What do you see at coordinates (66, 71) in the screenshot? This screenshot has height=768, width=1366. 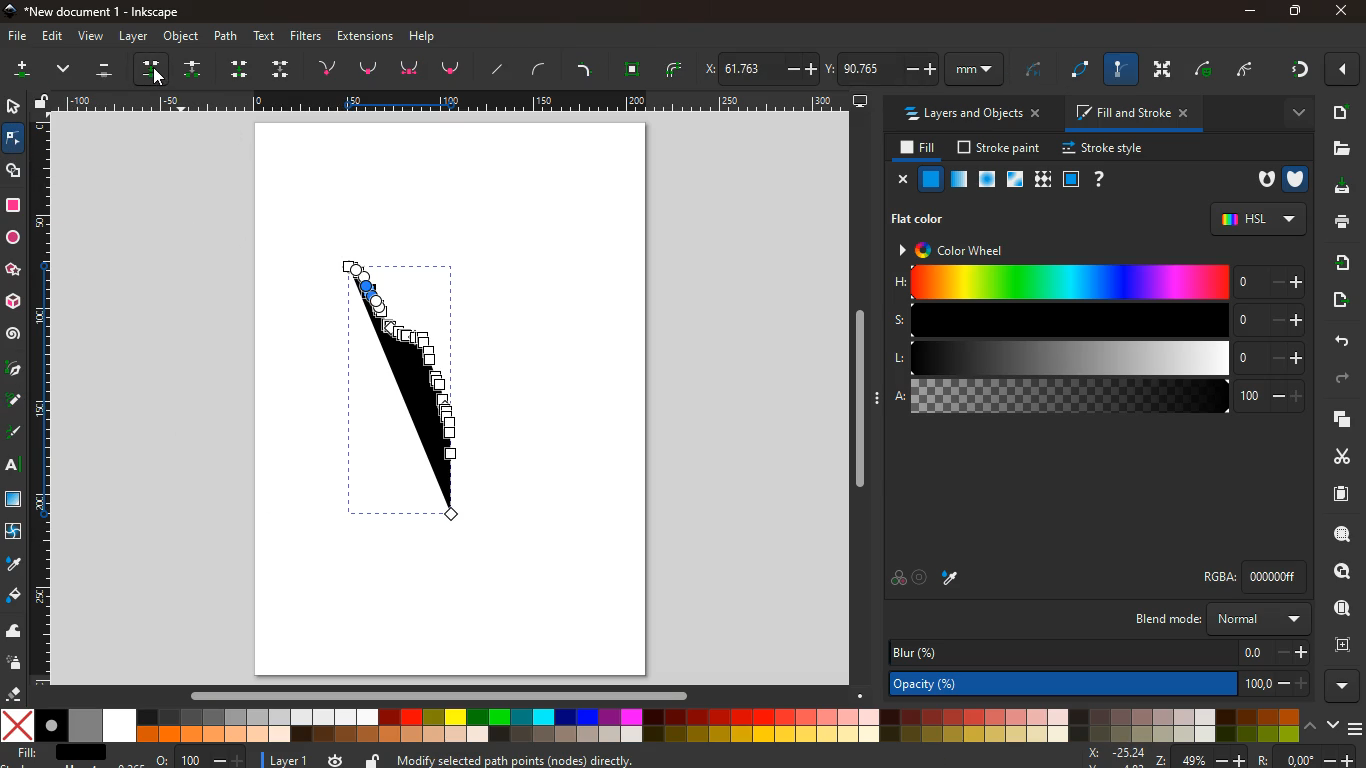 I see `down` at bounding box center [66, 71].